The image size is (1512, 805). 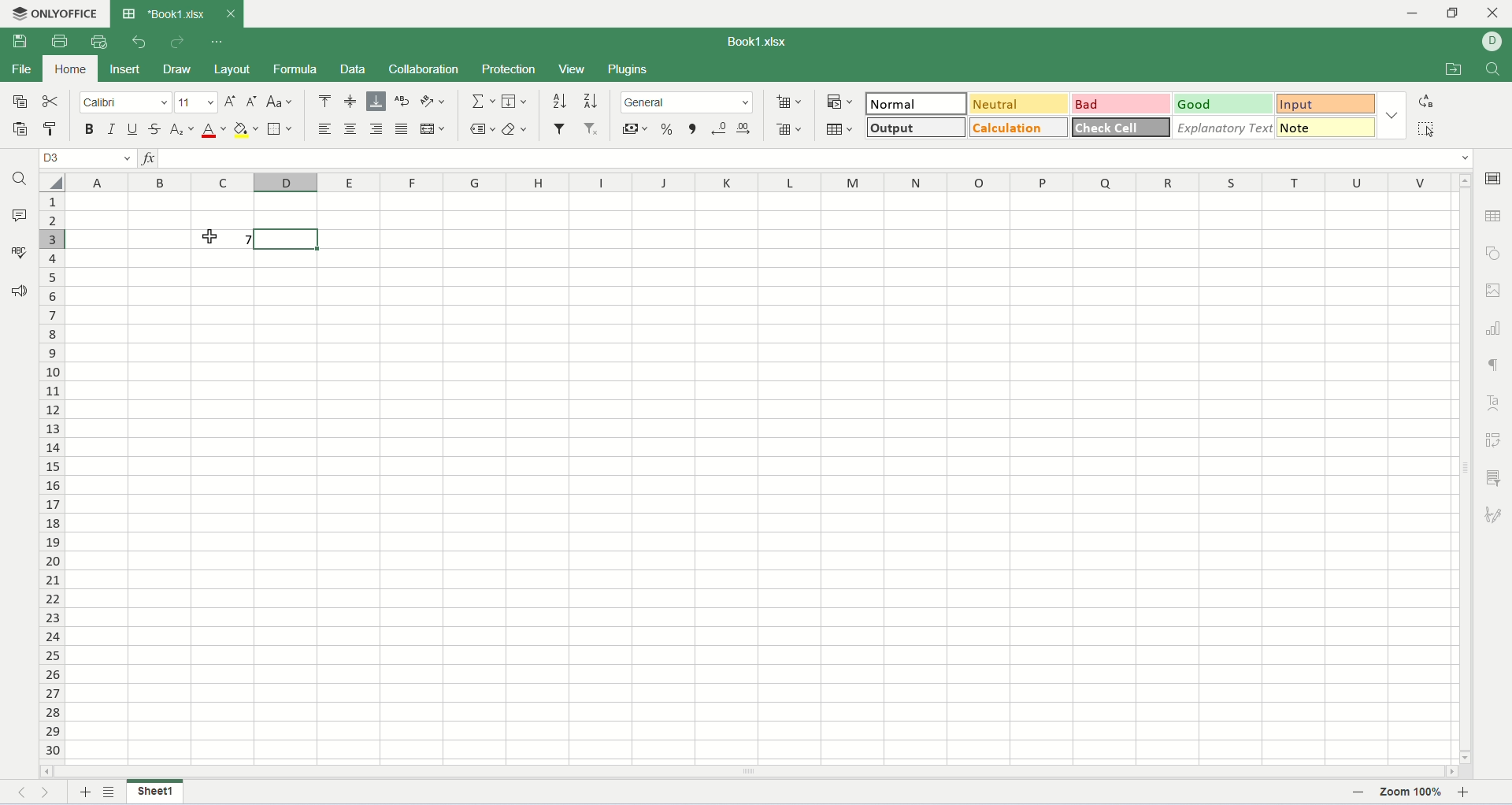 What do you see at coordinates (19, 180) in the screenshot?
I see `find` at bounding box center [19, 180].